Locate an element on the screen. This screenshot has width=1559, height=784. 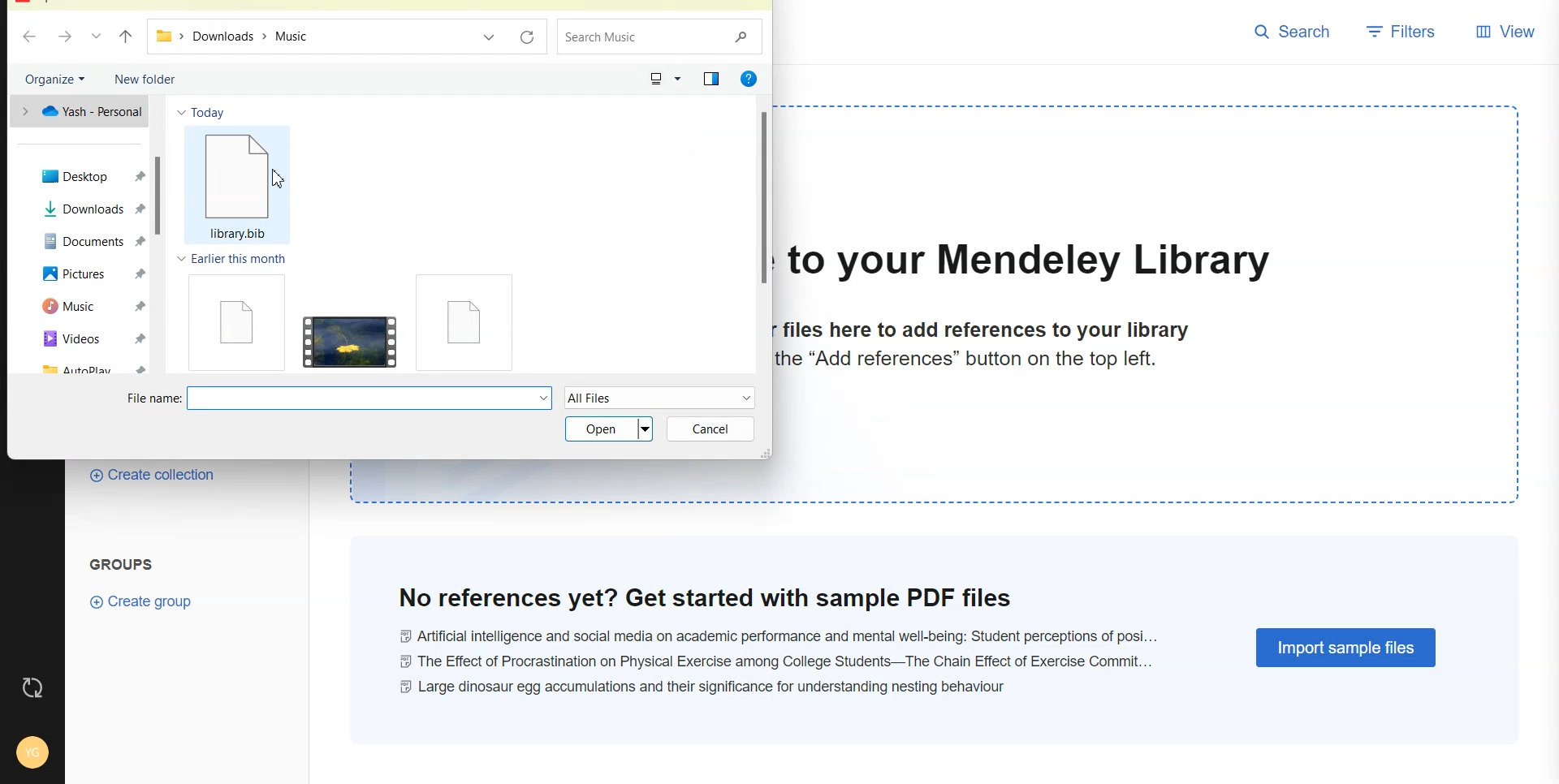
Go back is located at coordinates (29, 35).